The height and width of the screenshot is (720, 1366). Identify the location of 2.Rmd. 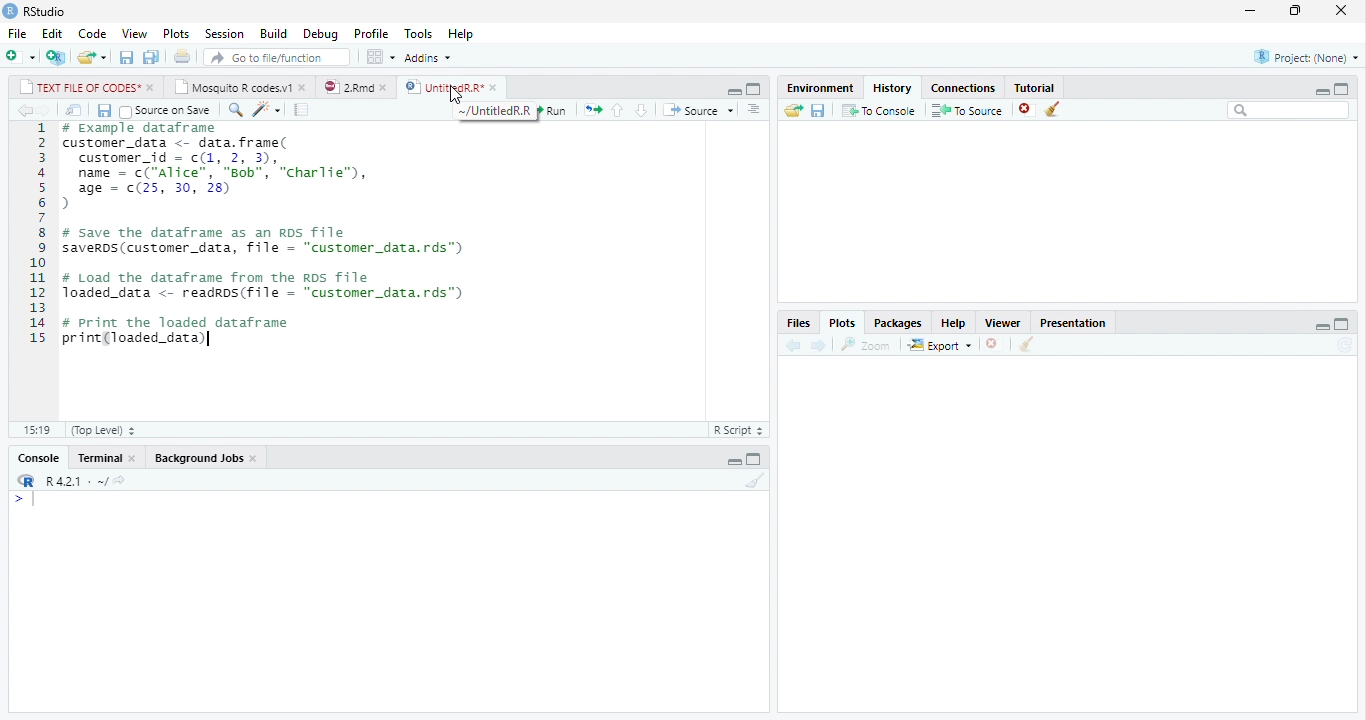
(347, 87).